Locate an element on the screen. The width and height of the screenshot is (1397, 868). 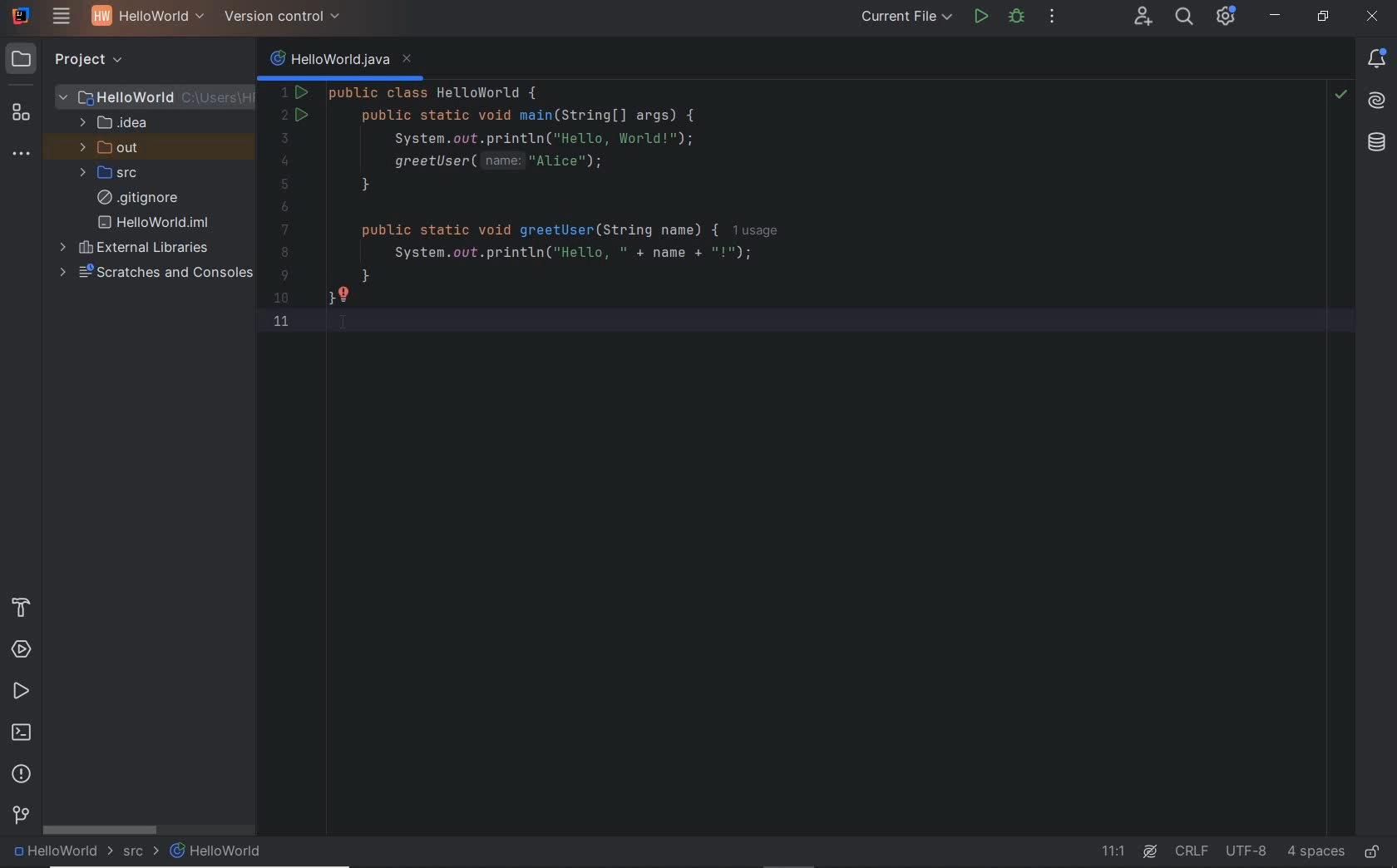
services is located at coordinates (22, 651).